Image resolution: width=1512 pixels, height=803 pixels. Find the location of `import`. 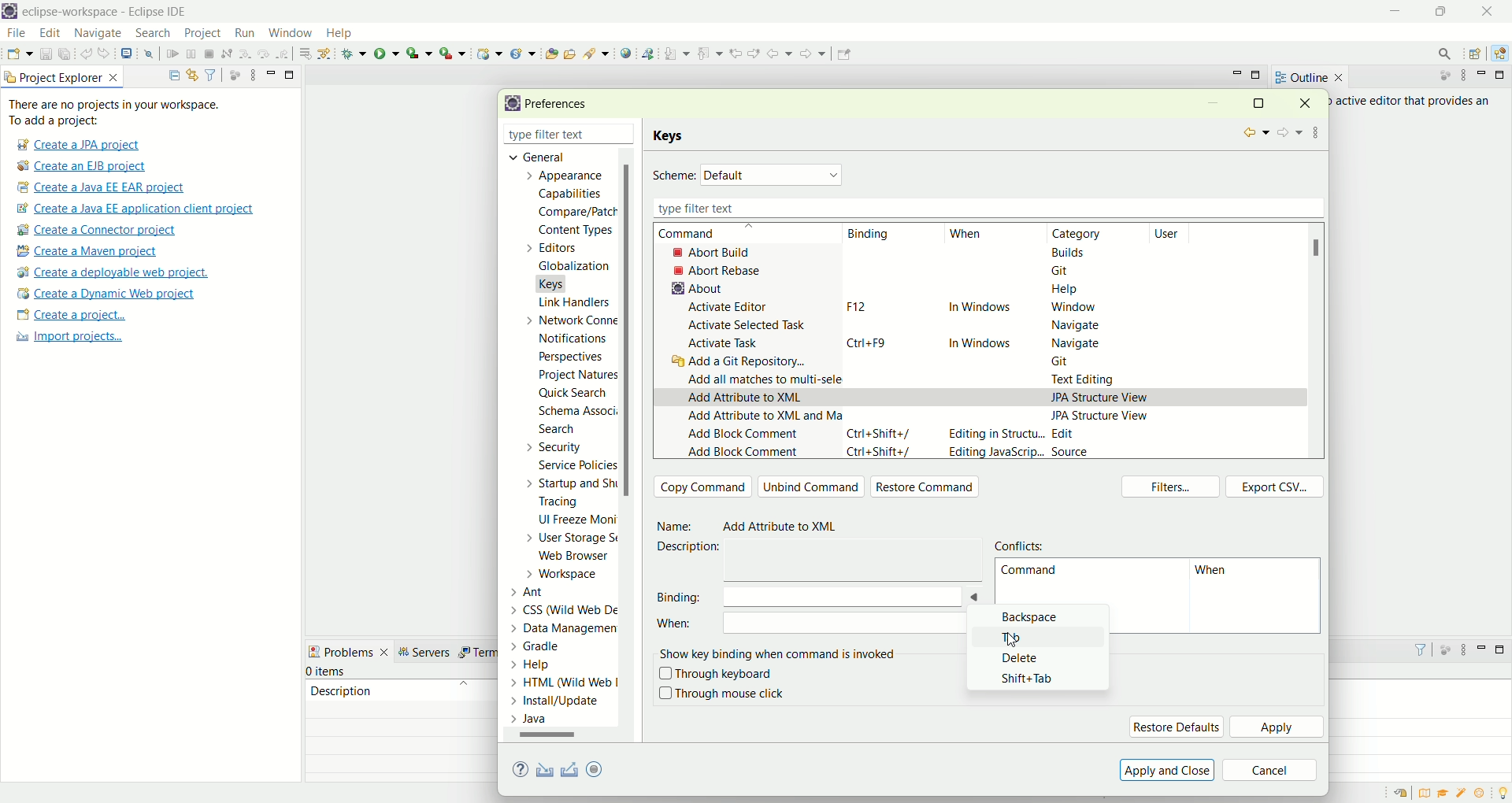

import is located at coordinates (542, 771).